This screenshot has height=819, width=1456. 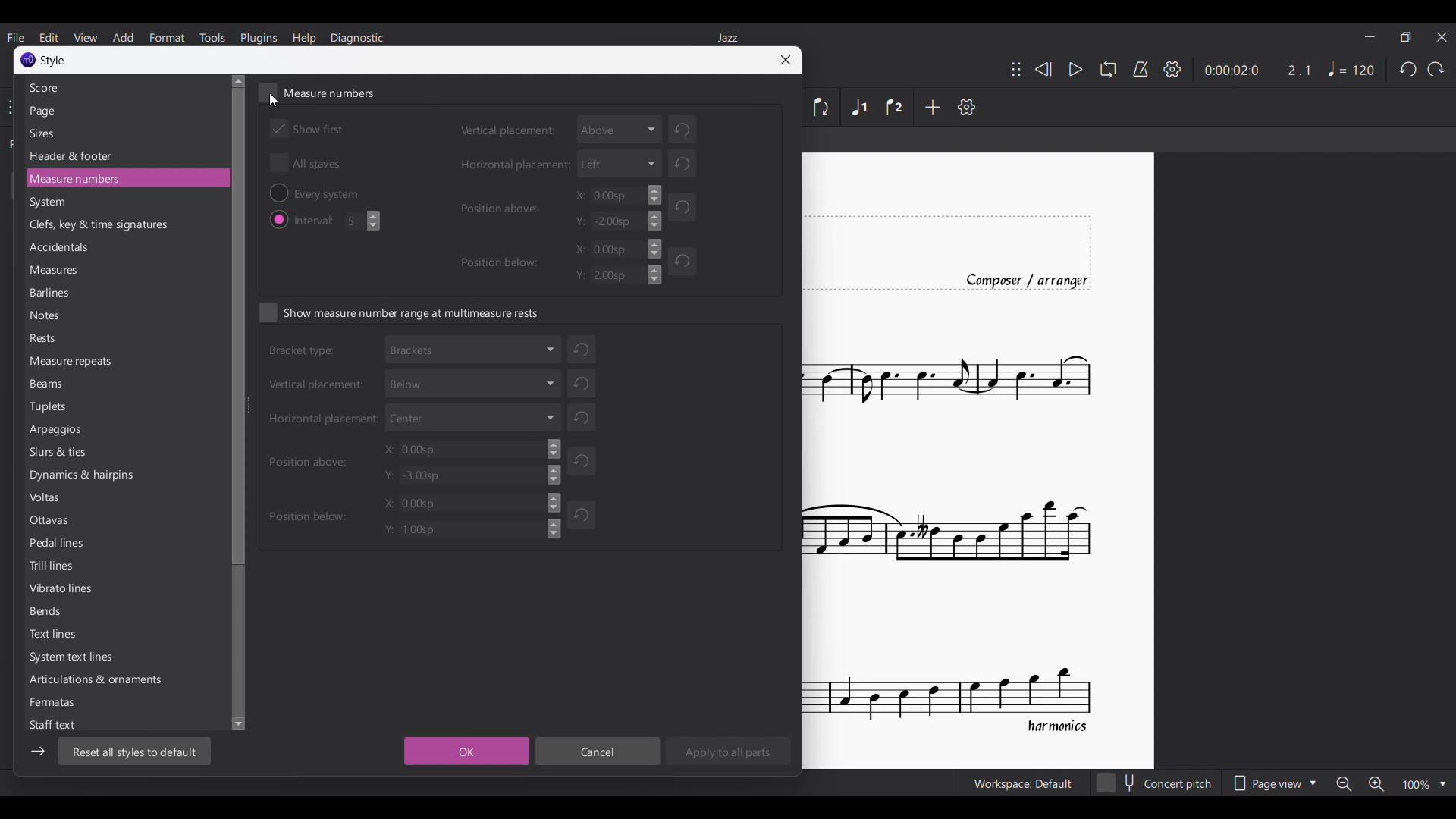 What do you see at coordinates (598, 751) in the screenshot?
I see `Cancel` at bounding box center [598, 751].